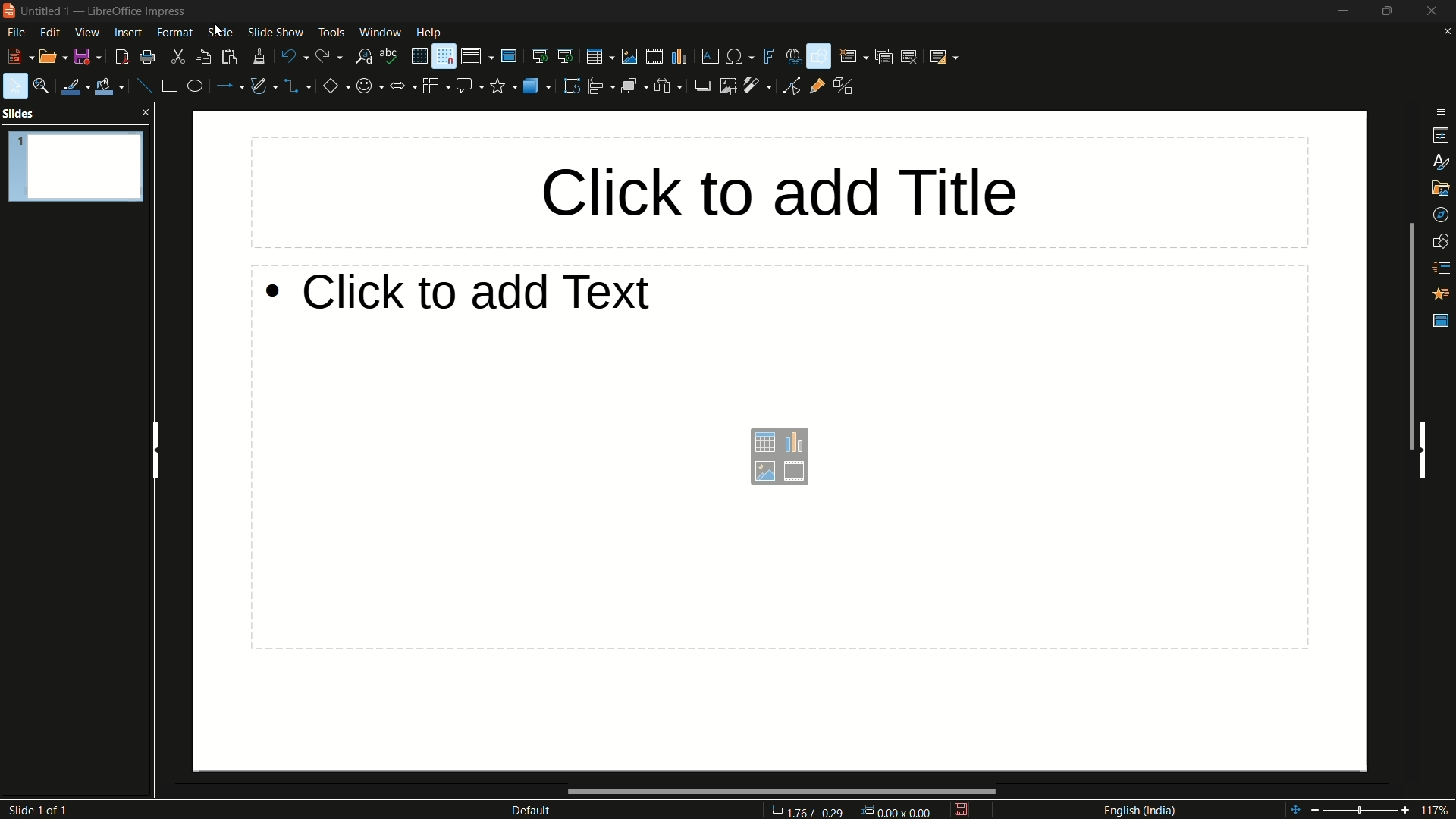 Image resolution: width=1456 pixels, height=819 pixels. I want to click on close pane, so click(145, 113).